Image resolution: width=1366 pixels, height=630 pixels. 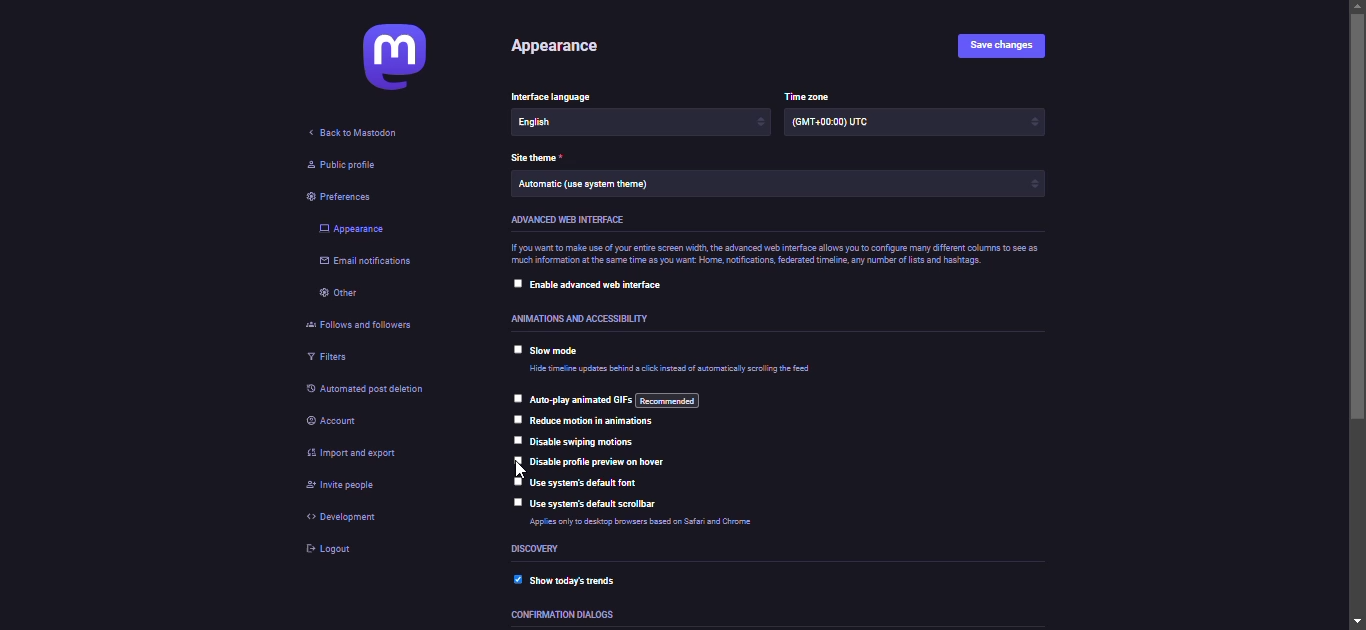 What do you see at coordinates (514, 397) in the screenshot?
I see `click to select` at bounding box center [514, 397].